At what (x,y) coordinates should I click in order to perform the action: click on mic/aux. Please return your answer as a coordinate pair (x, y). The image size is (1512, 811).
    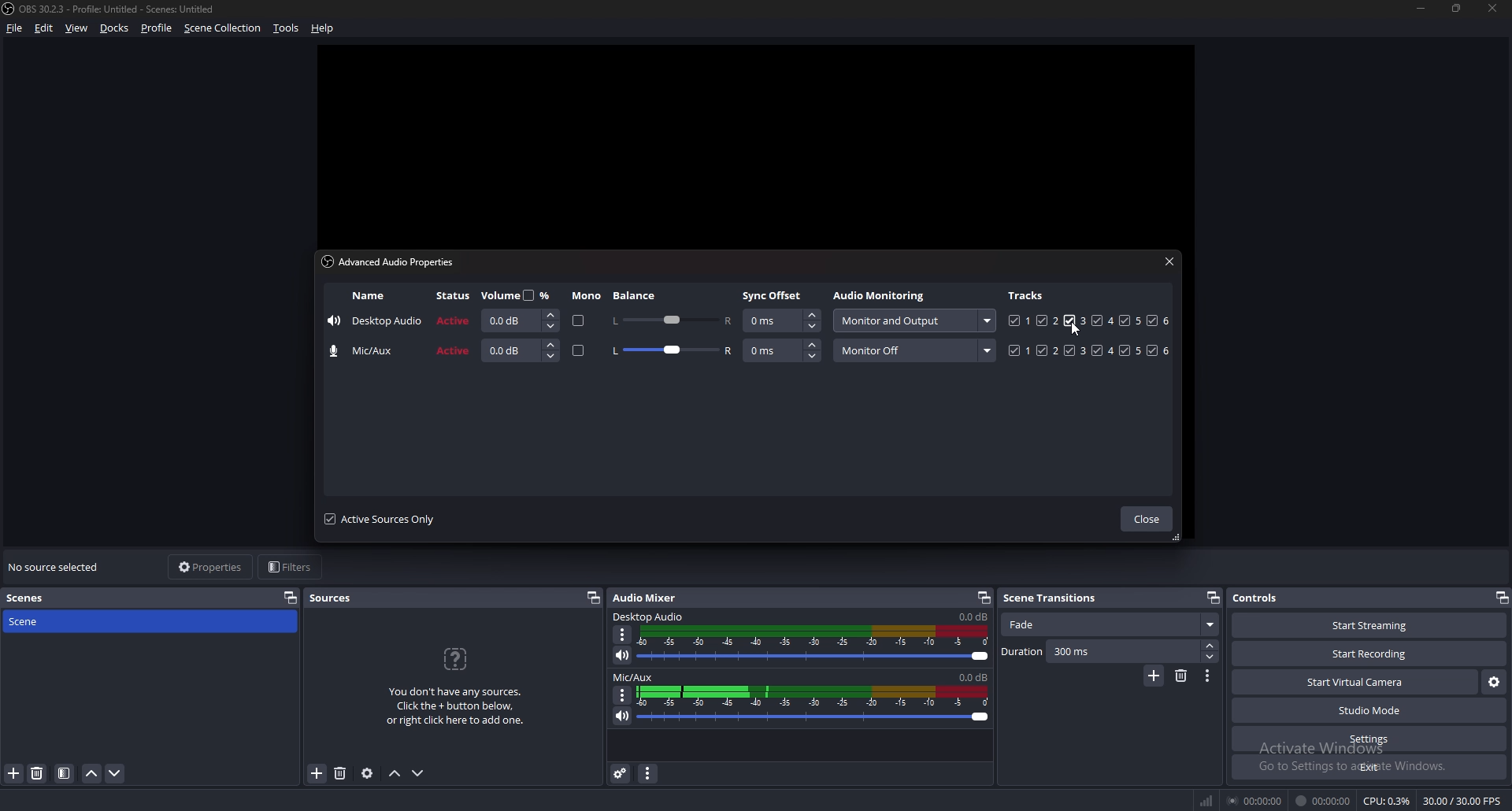
    Looking at the image, I should click on (634, 678).